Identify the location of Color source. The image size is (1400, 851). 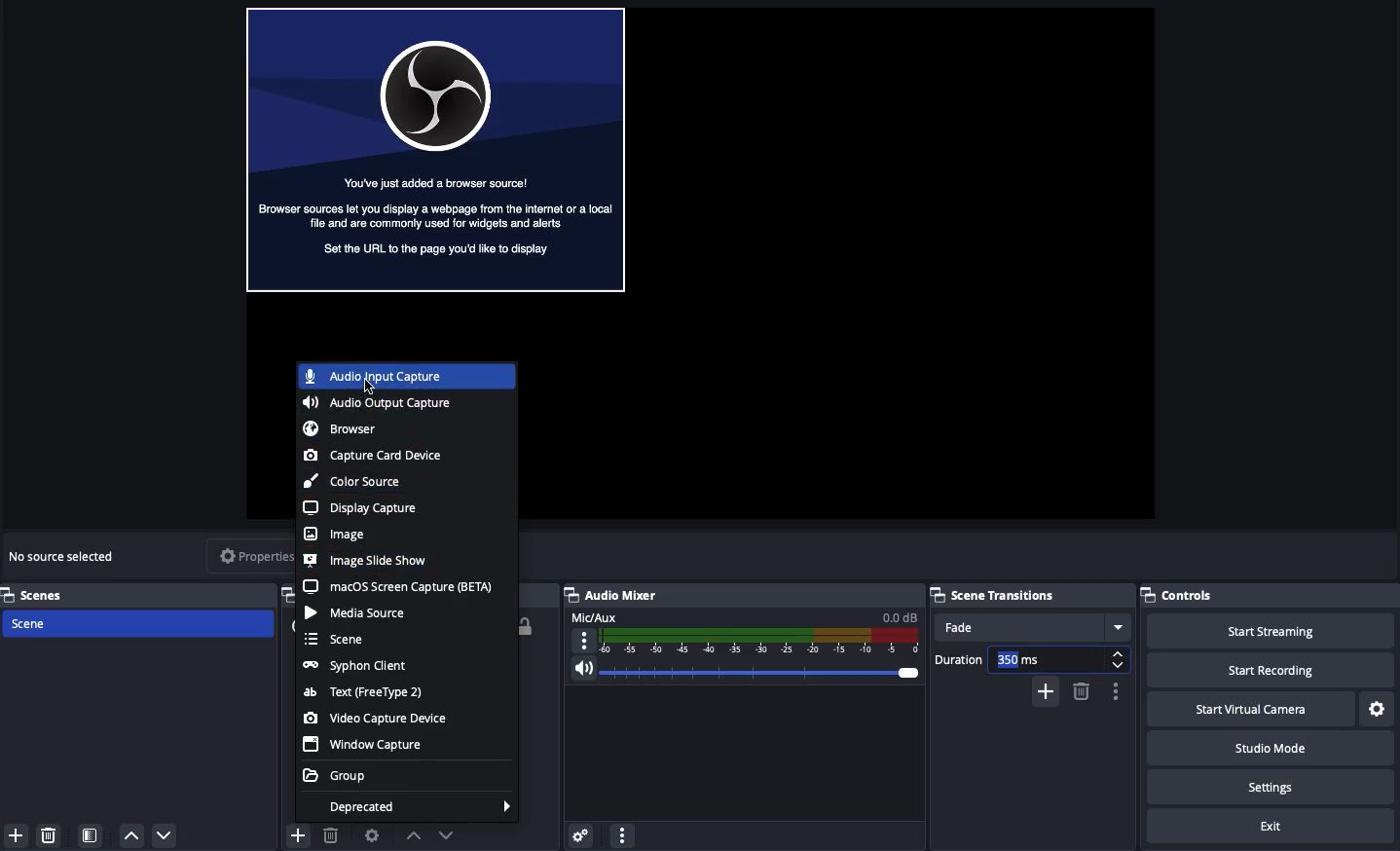
(354, 480).